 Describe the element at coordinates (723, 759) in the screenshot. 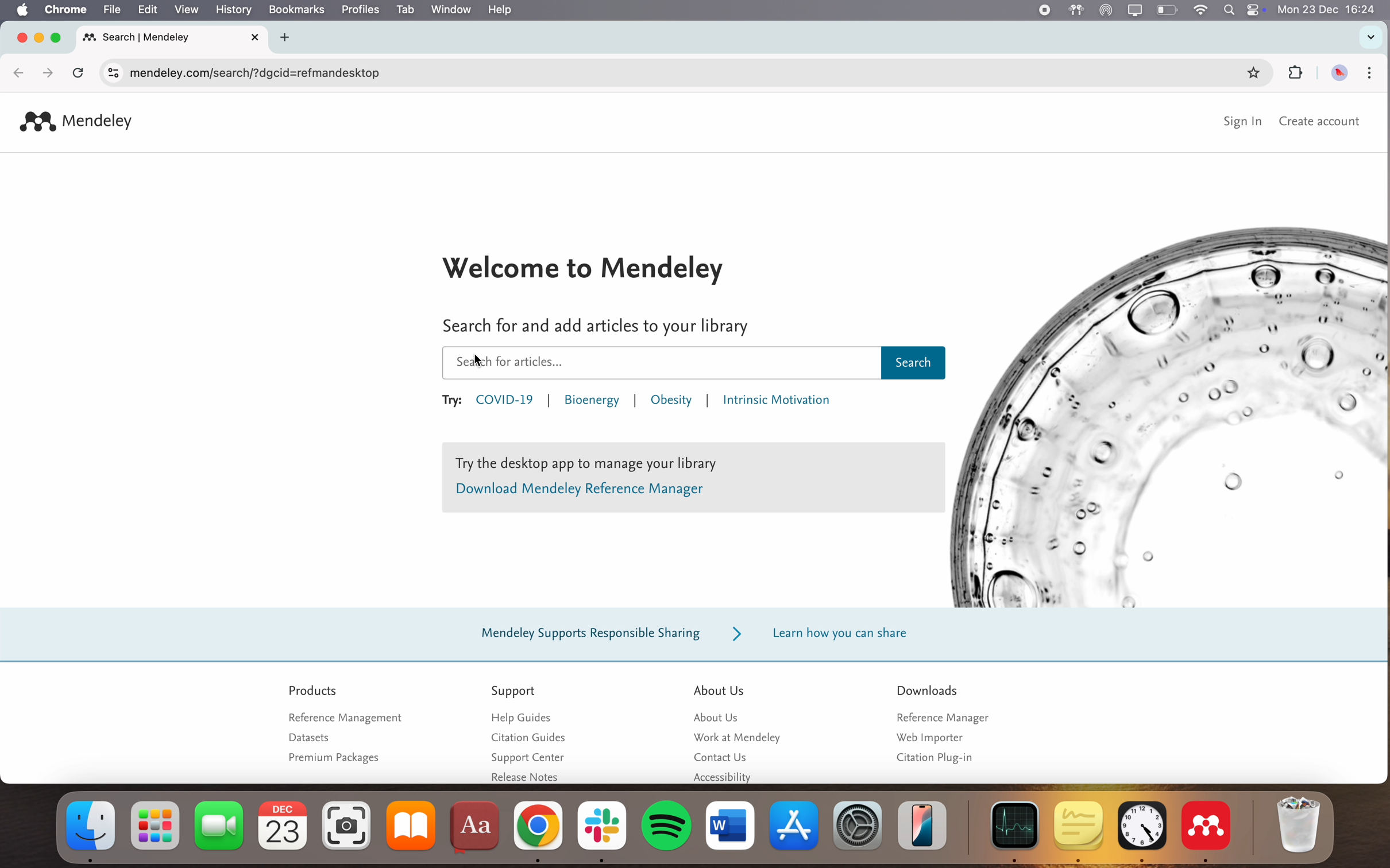

I see `contact us` at that location.